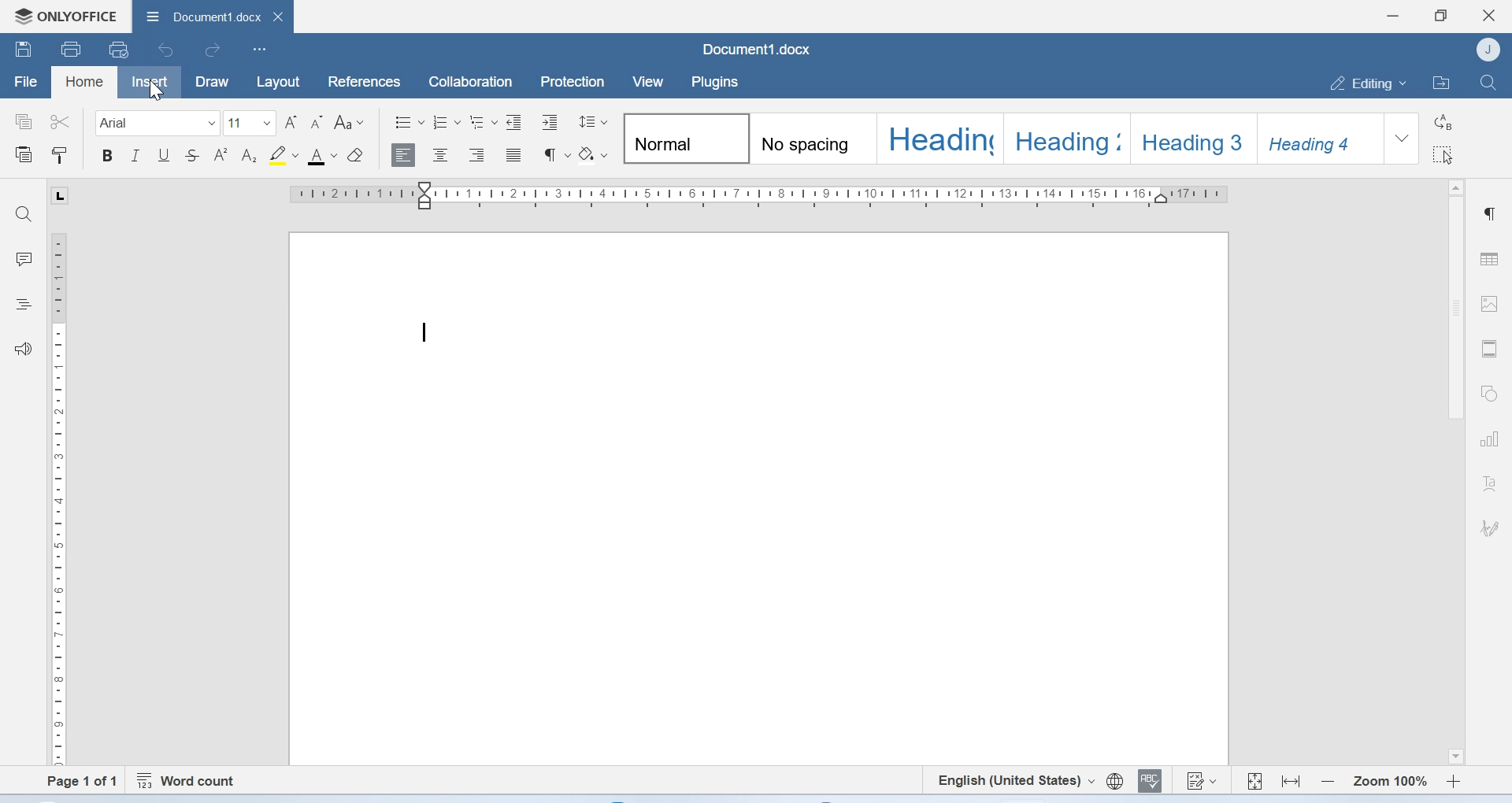  What do you see at coordinates (1488, 50) in the screenshot?
I see `Account` at bounding box center [1488, 50].